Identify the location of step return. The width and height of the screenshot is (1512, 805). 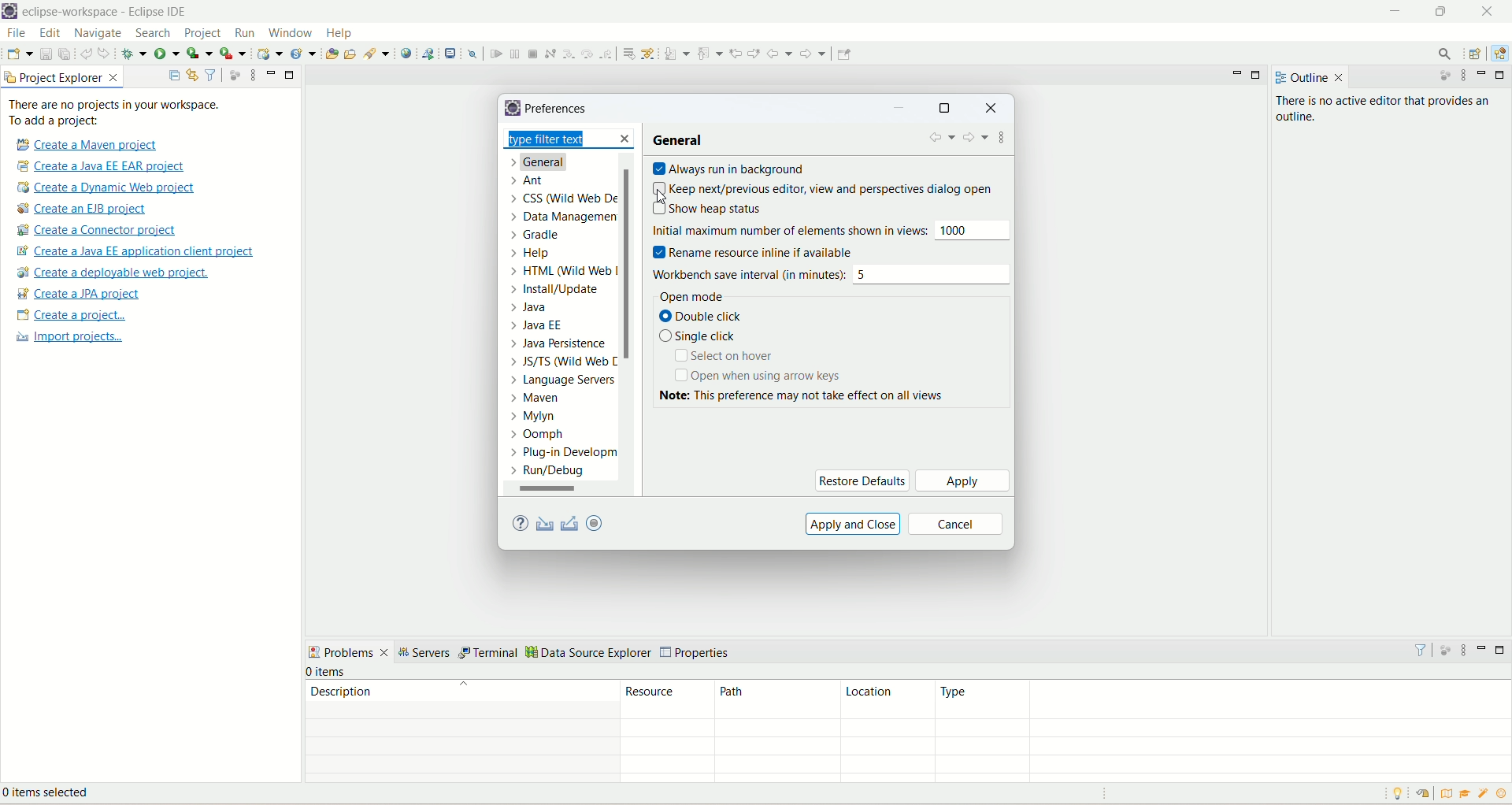
(607, 54).